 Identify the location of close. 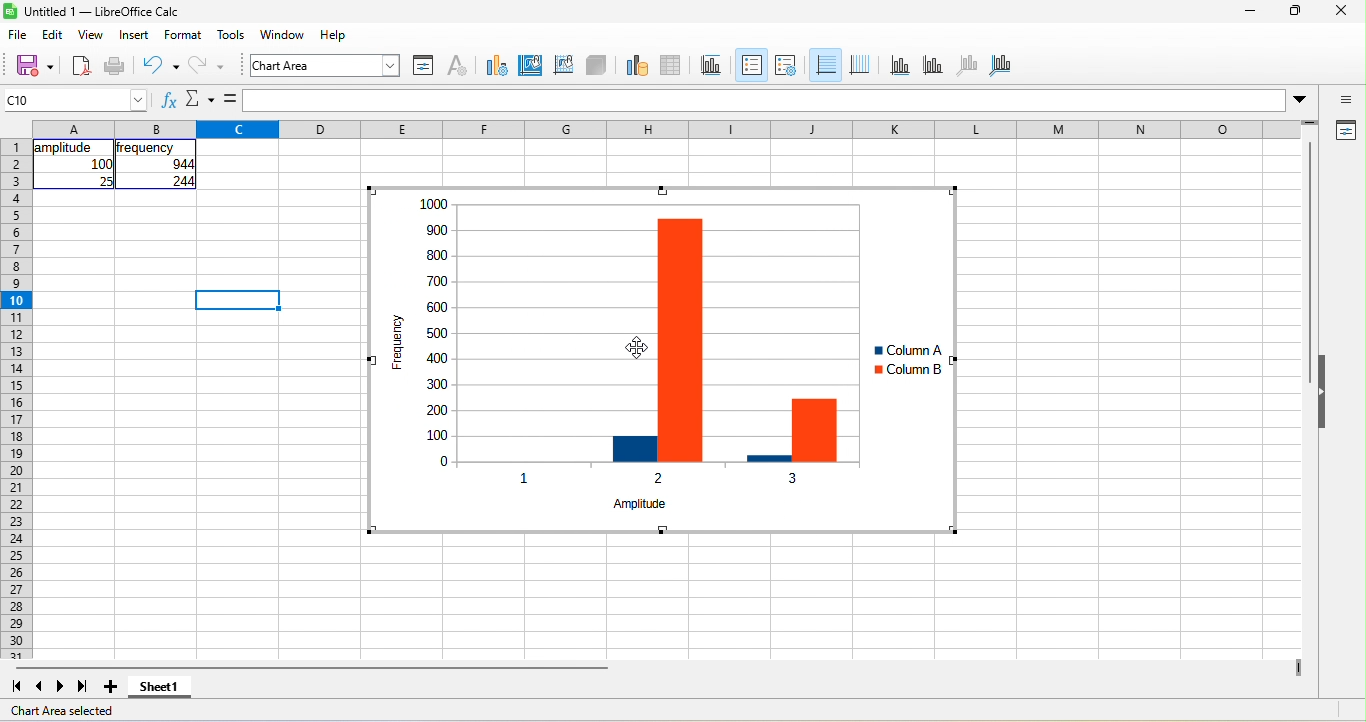
(1342, 10).